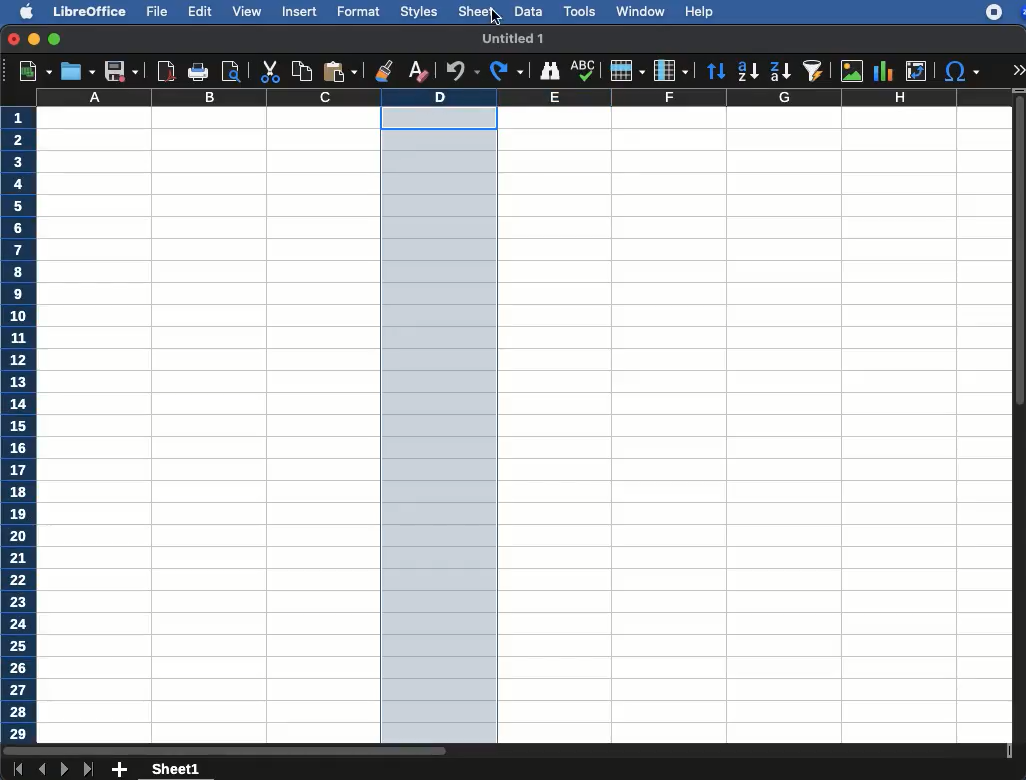 This screenshot has width=1026, height=780. What do you see at coordinates (1018, 69) in the screenshot?
I see `expand` at bounding box center [1018, 69].